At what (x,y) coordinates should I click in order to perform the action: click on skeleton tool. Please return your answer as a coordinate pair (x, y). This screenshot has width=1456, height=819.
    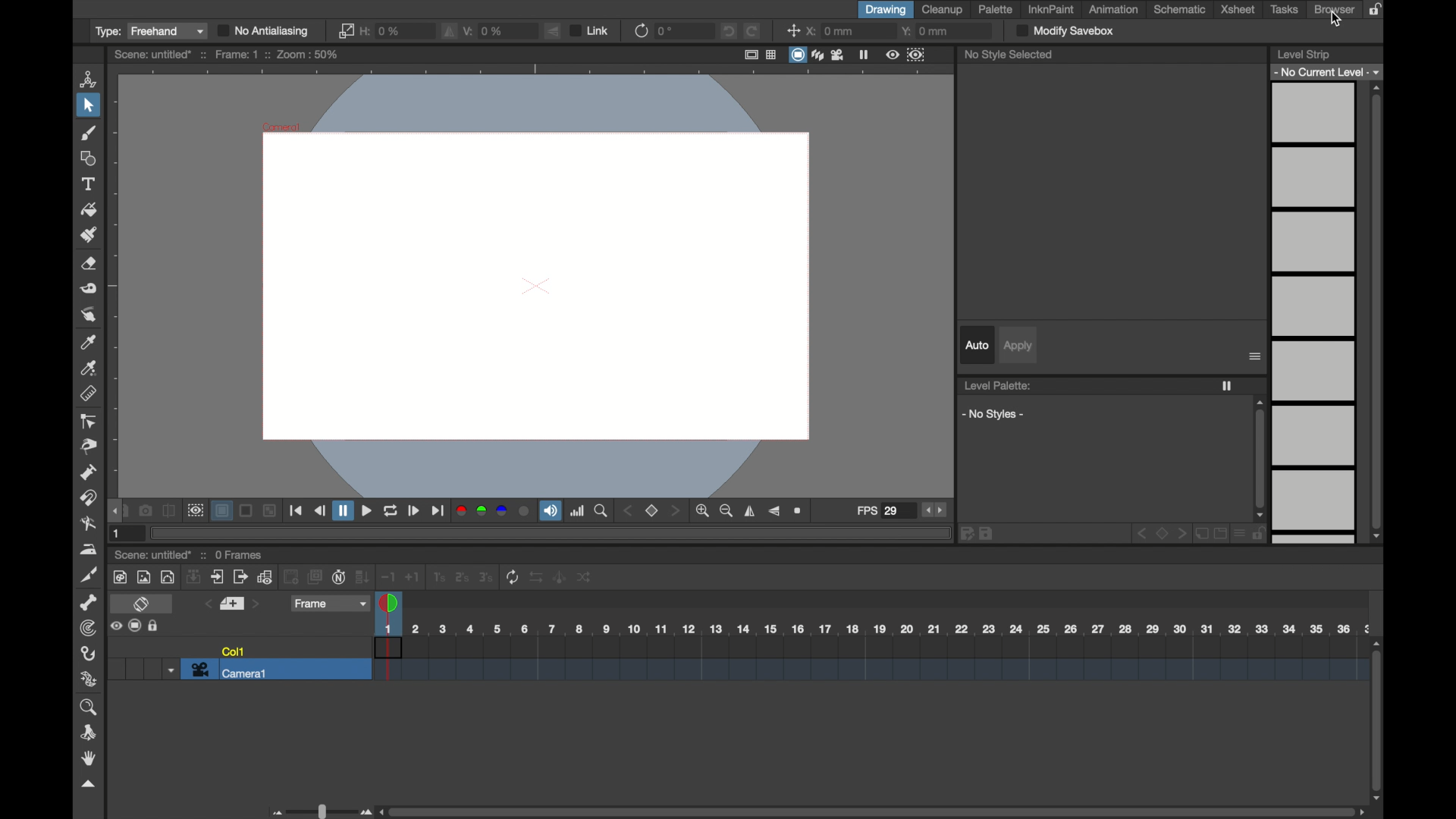
    Looking at the image, I should click on (89, 602).